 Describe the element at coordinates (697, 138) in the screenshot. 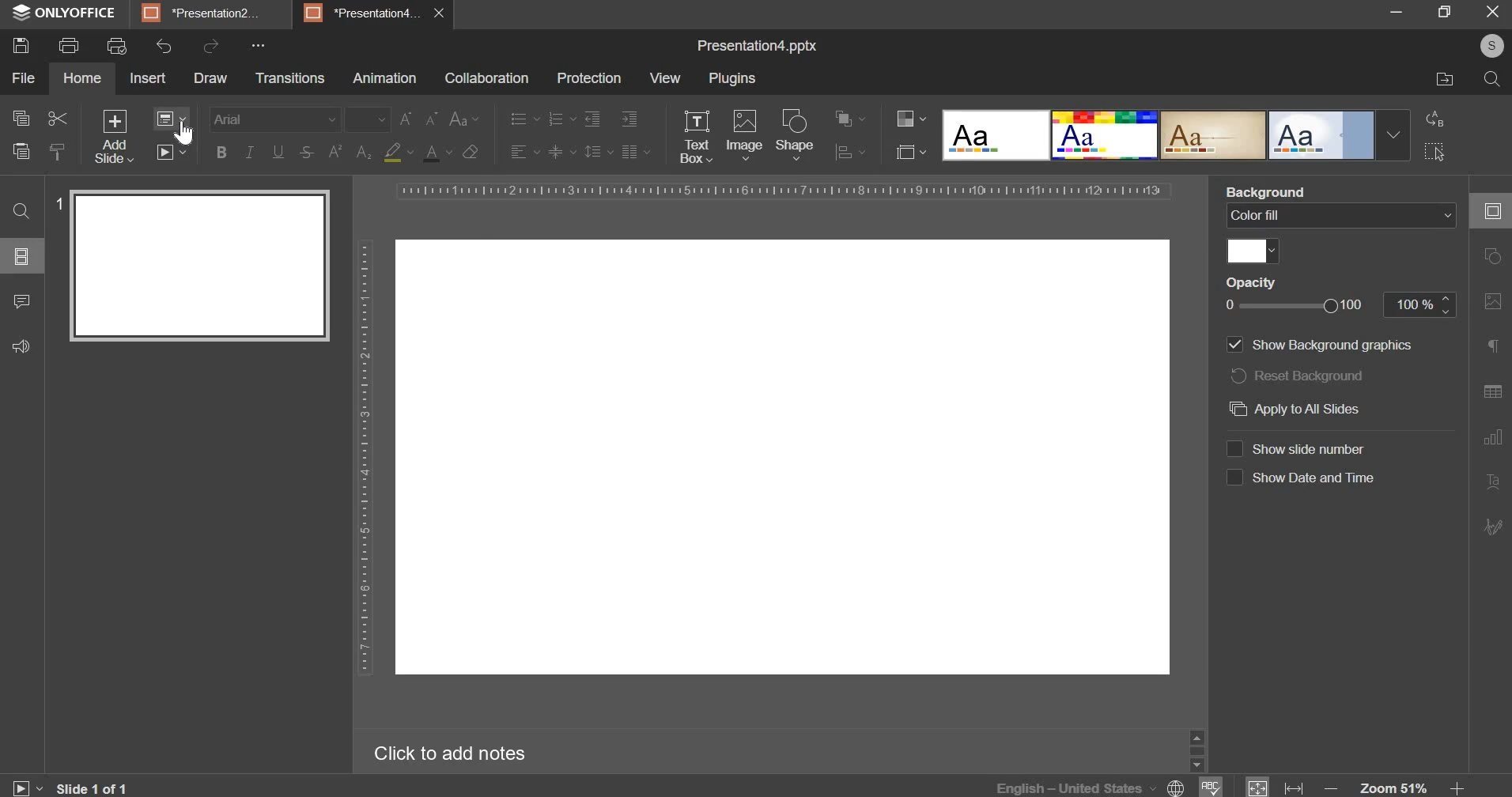

I see `text box` at that location.